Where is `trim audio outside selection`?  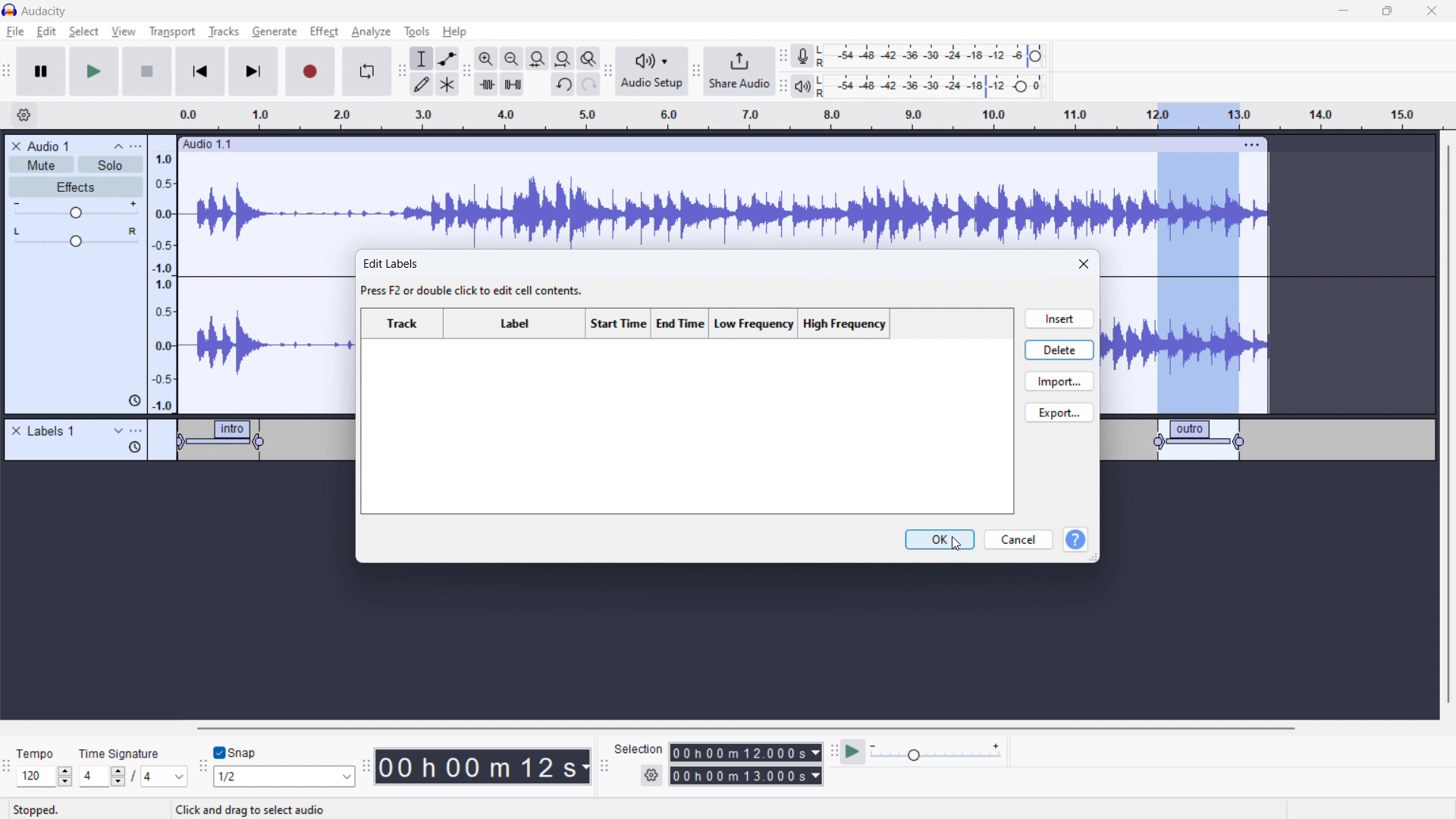 trim audio outside selection is located at coordinates (487, 83).